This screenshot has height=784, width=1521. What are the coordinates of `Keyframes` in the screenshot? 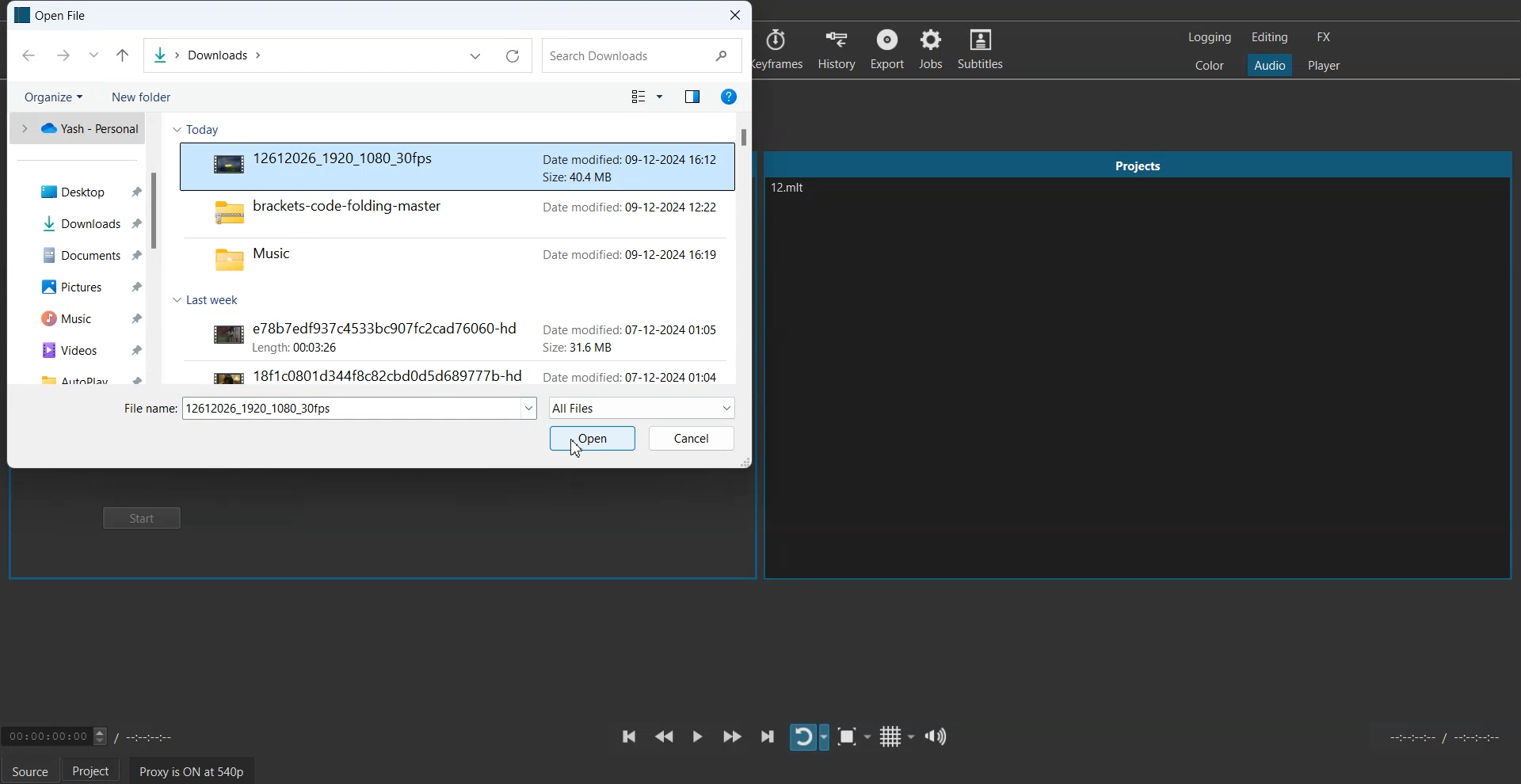 It's located at (780, 48).